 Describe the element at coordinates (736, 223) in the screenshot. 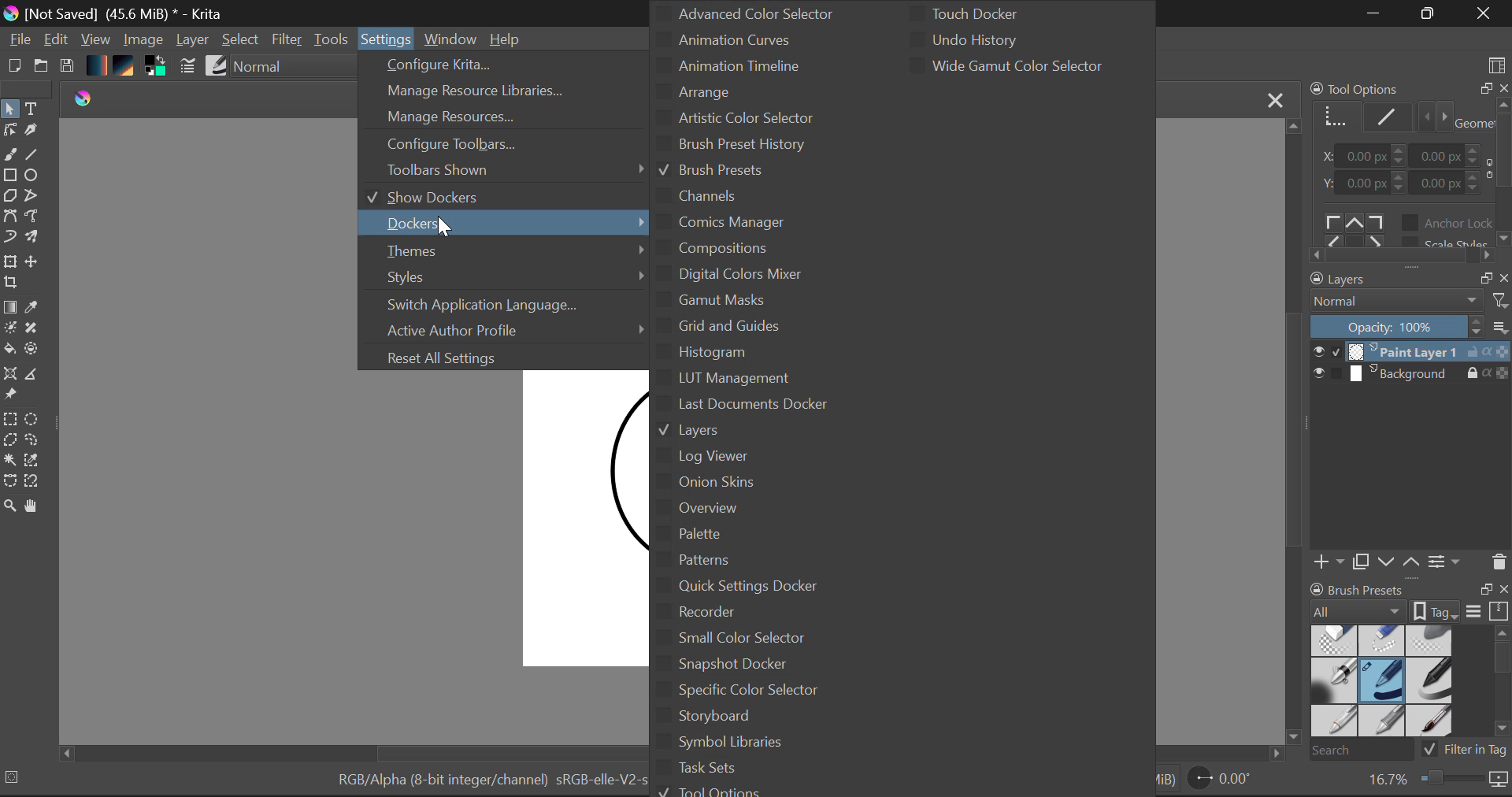

I see `Comics Manager` at that location.